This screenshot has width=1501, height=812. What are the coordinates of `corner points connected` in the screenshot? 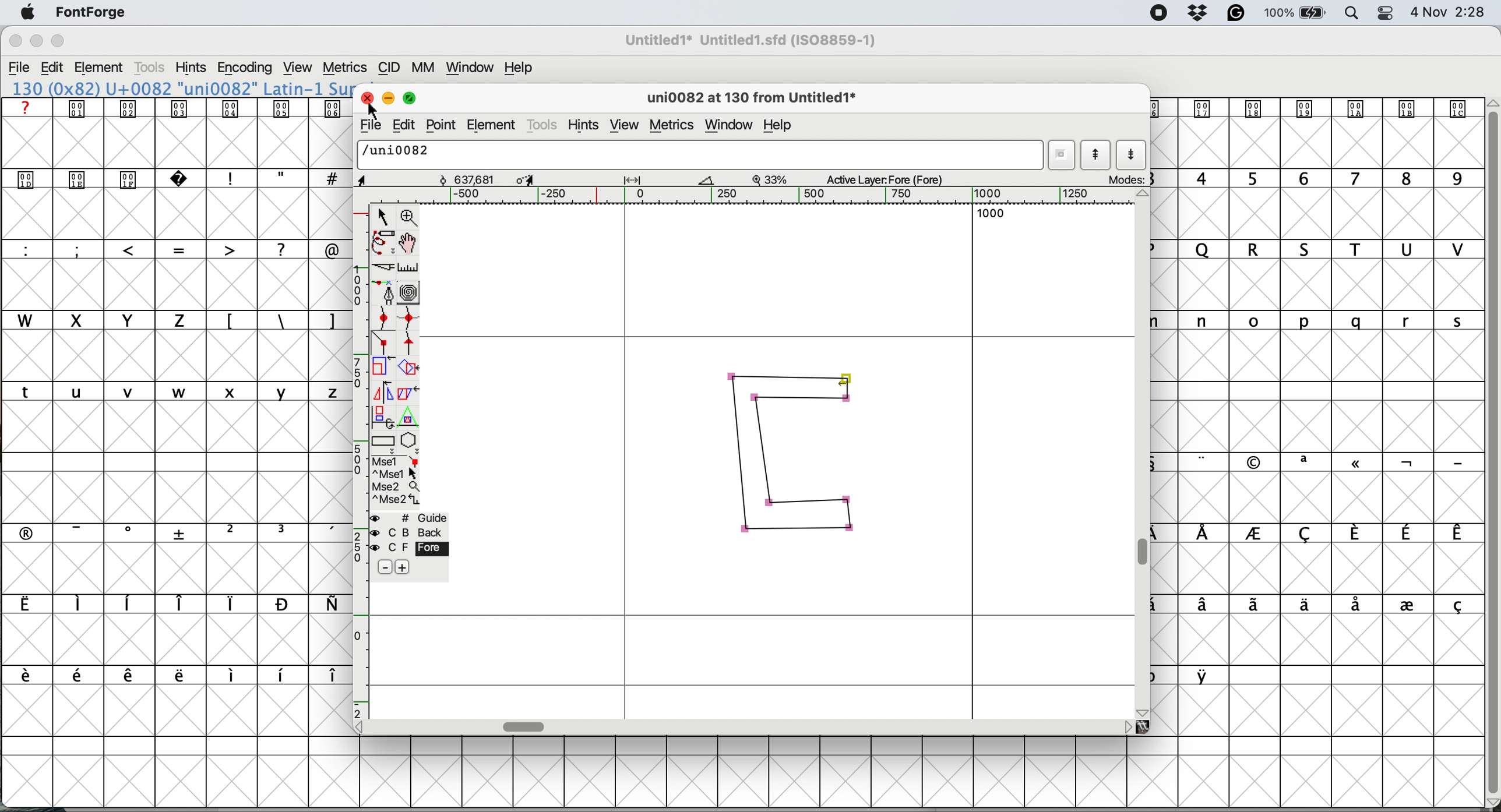 It's located at (791, 375).